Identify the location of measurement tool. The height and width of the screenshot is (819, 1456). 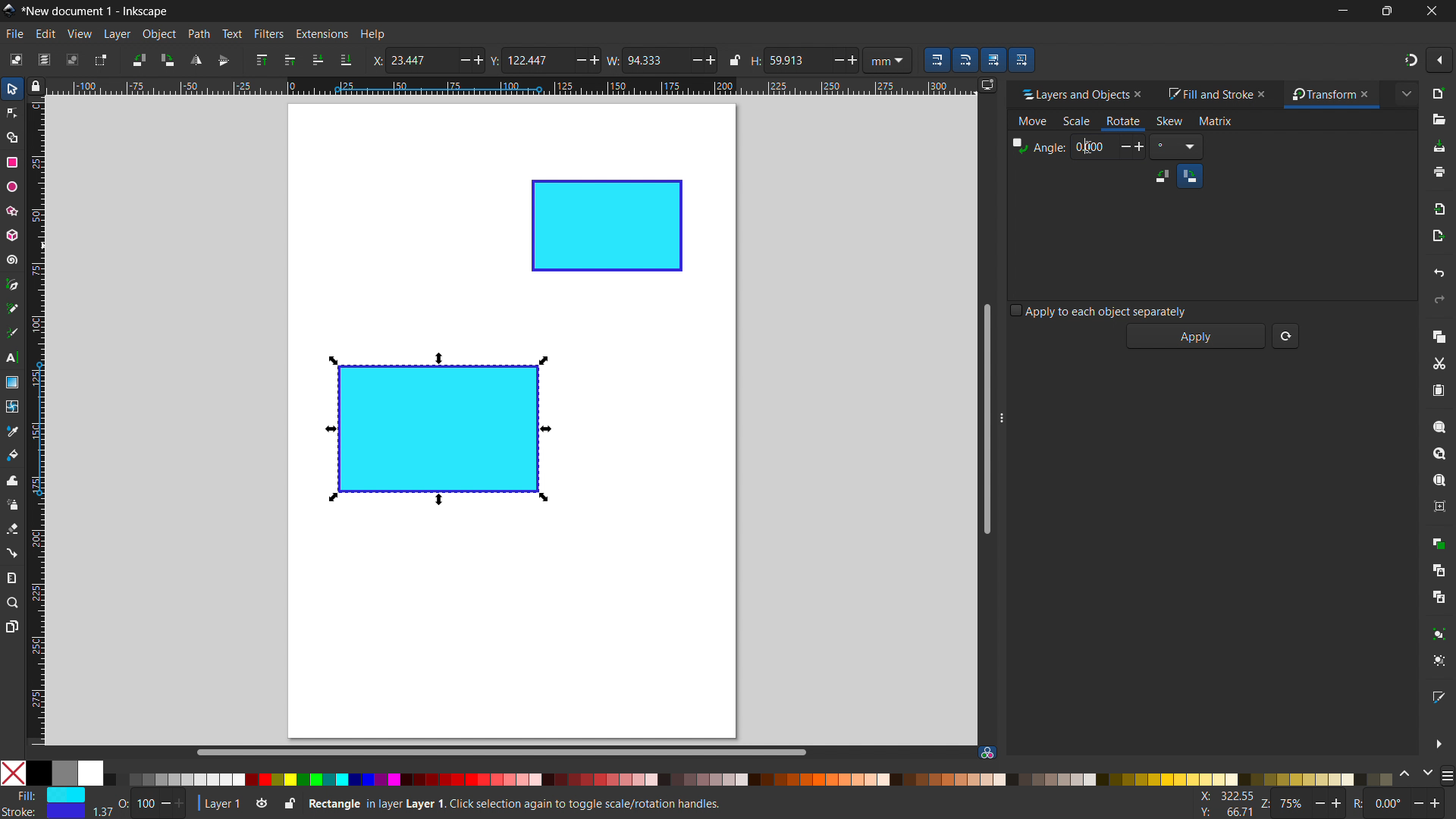
(13, 577).